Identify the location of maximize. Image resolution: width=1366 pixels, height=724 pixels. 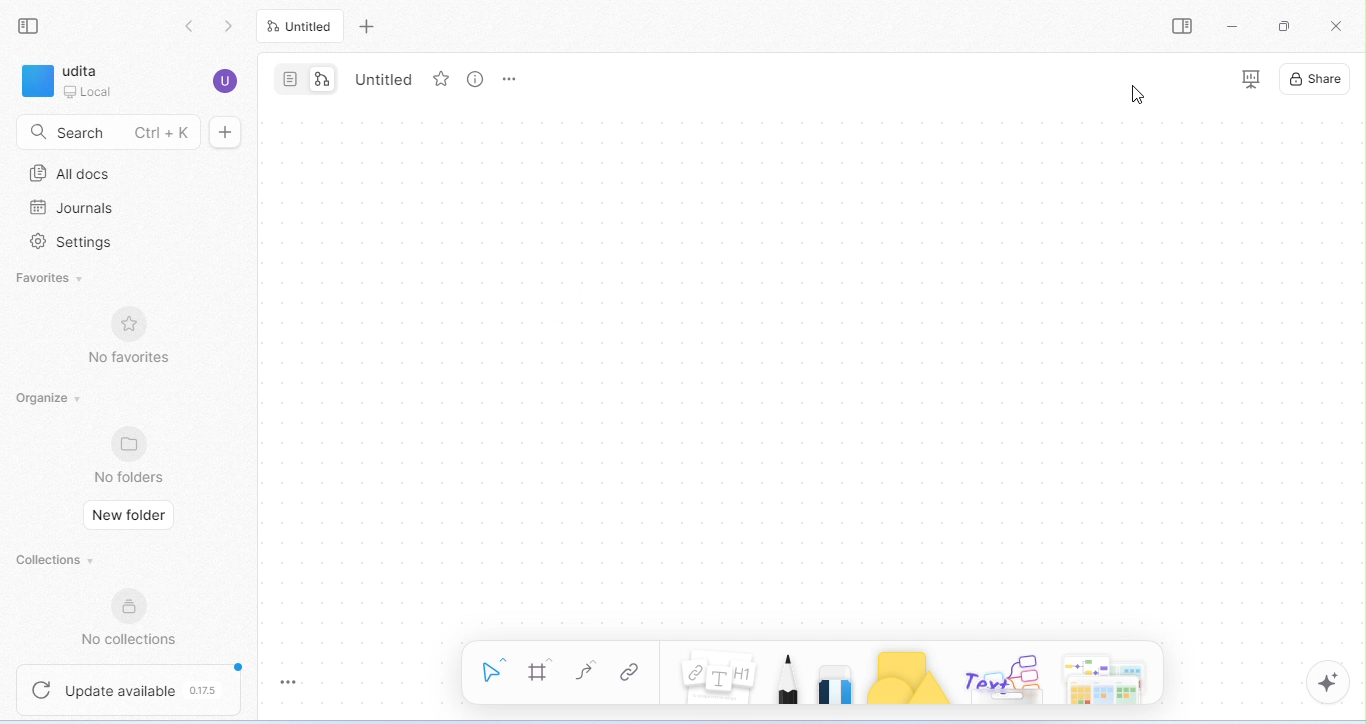
(1287, 25).